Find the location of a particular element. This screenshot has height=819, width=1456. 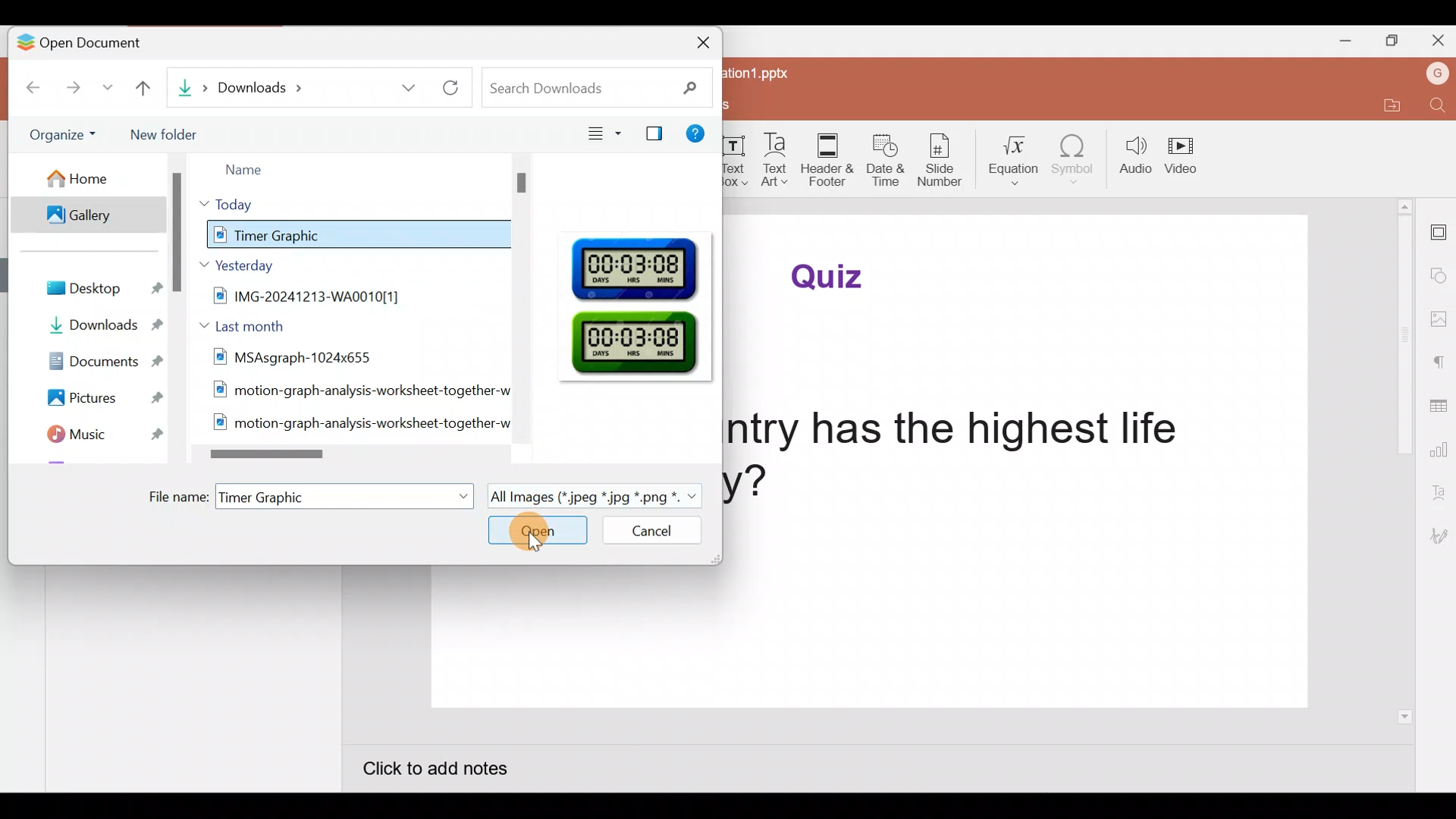

Back is located at coordinates (26, 89).